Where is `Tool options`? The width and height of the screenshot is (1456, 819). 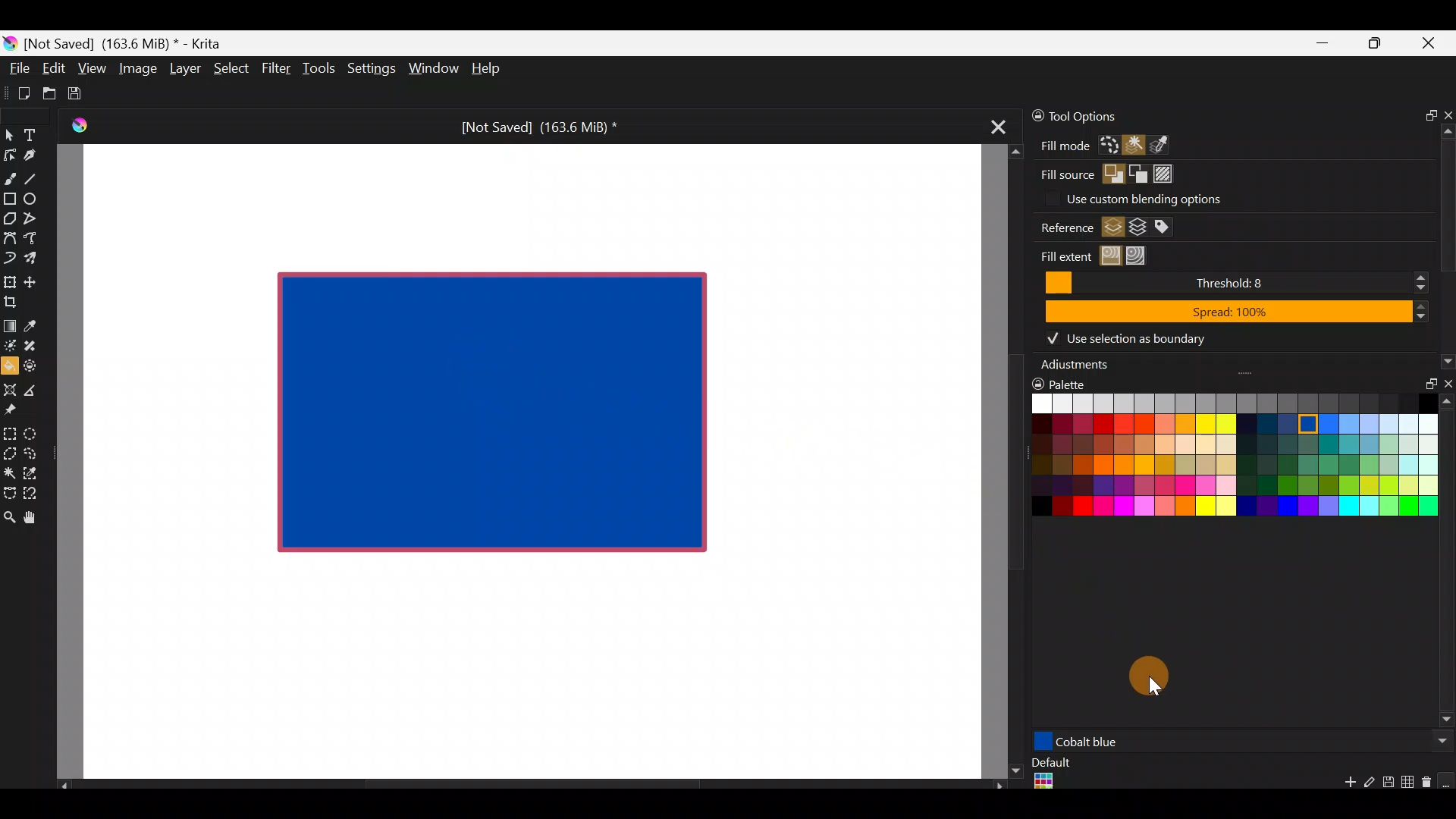 Tool options is located at coordinates (1088, 115).